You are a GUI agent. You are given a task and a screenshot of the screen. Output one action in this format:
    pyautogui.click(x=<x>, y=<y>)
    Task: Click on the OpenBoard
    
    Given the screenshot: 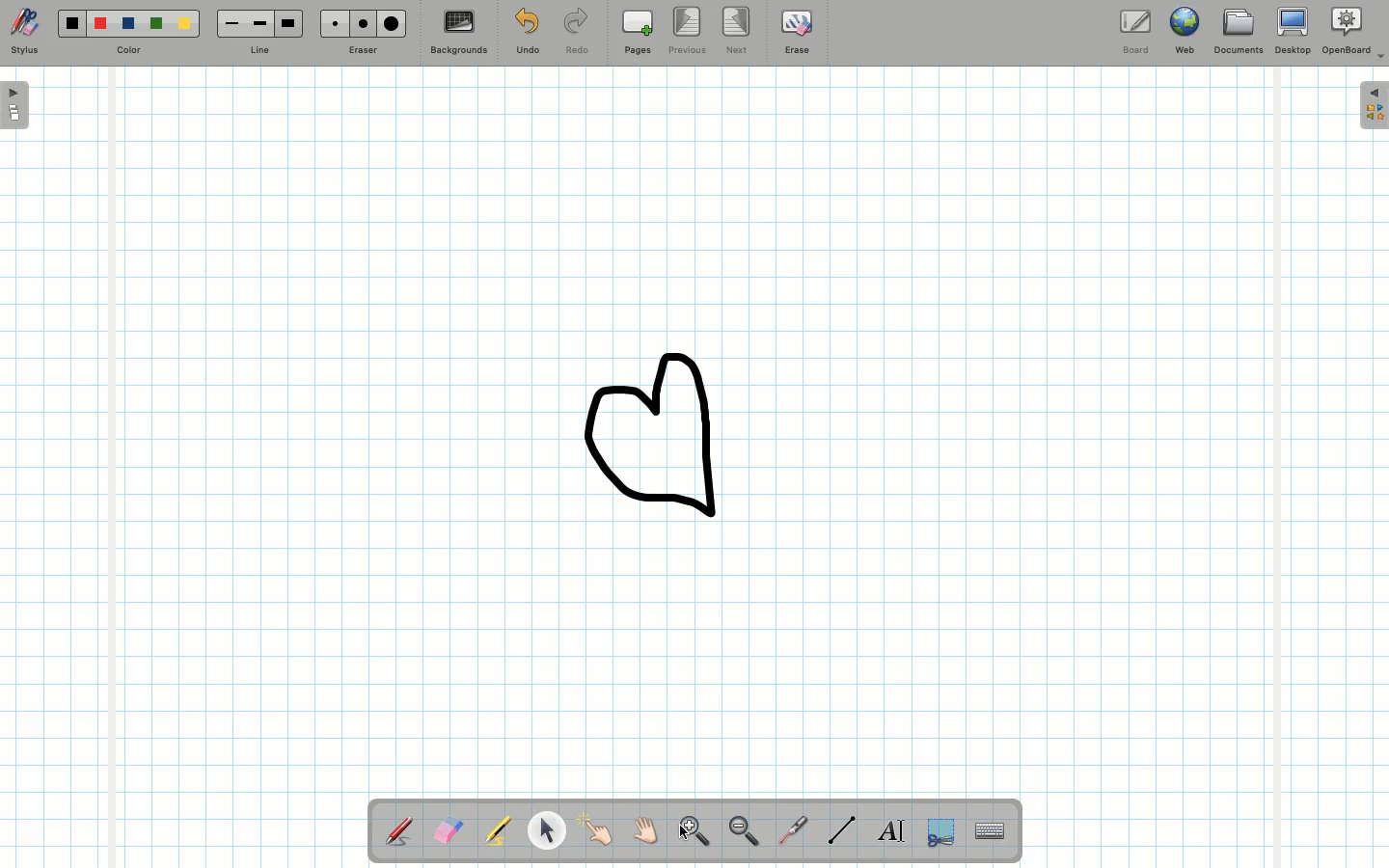 What is the action you would take?
    pyautogui.click(x=1353, y=34)
    